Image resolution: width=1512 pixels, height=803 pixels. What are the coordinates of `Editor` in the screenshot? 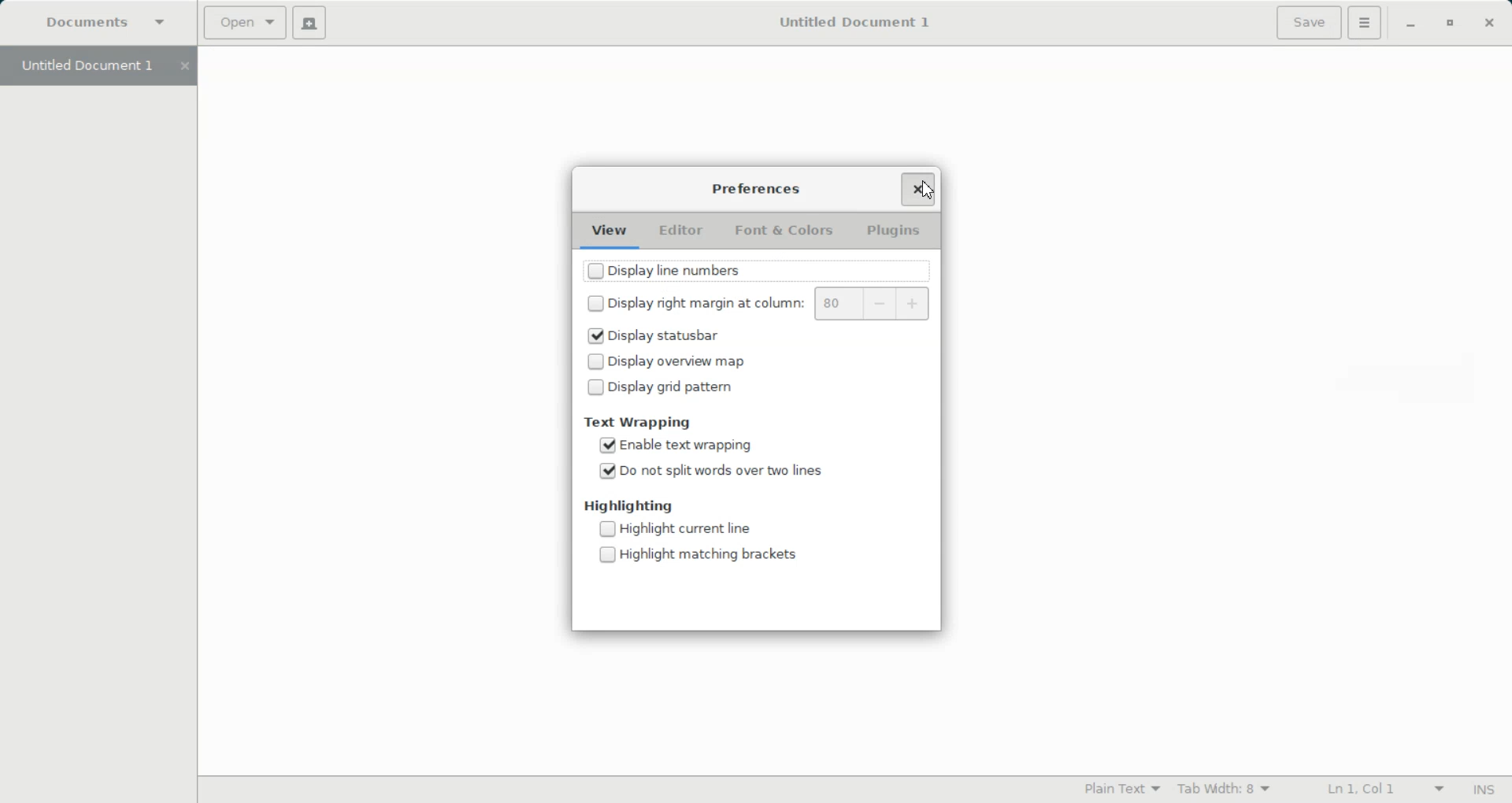 It's located at (678, 232).